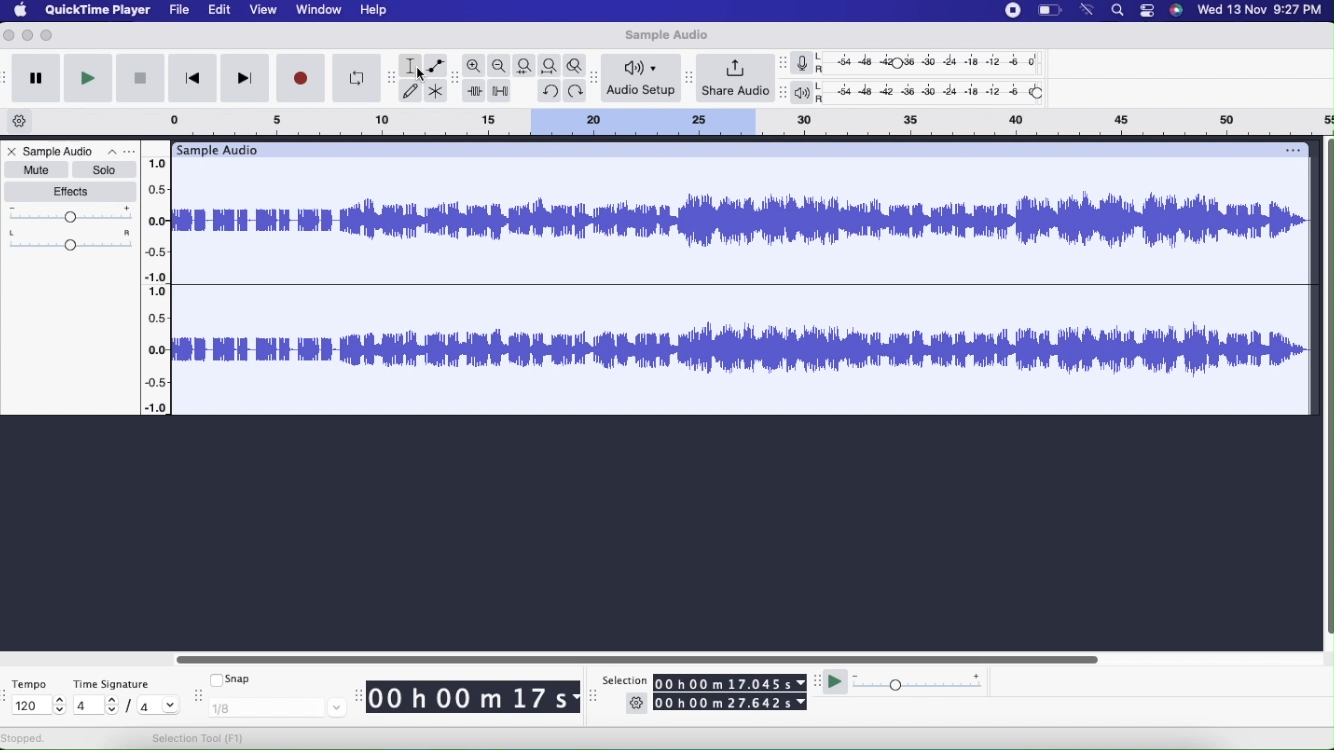  What do you see at coordinates (28, 35) in the screenshot?
I see `Minimize` at bounding box center [28, 35].